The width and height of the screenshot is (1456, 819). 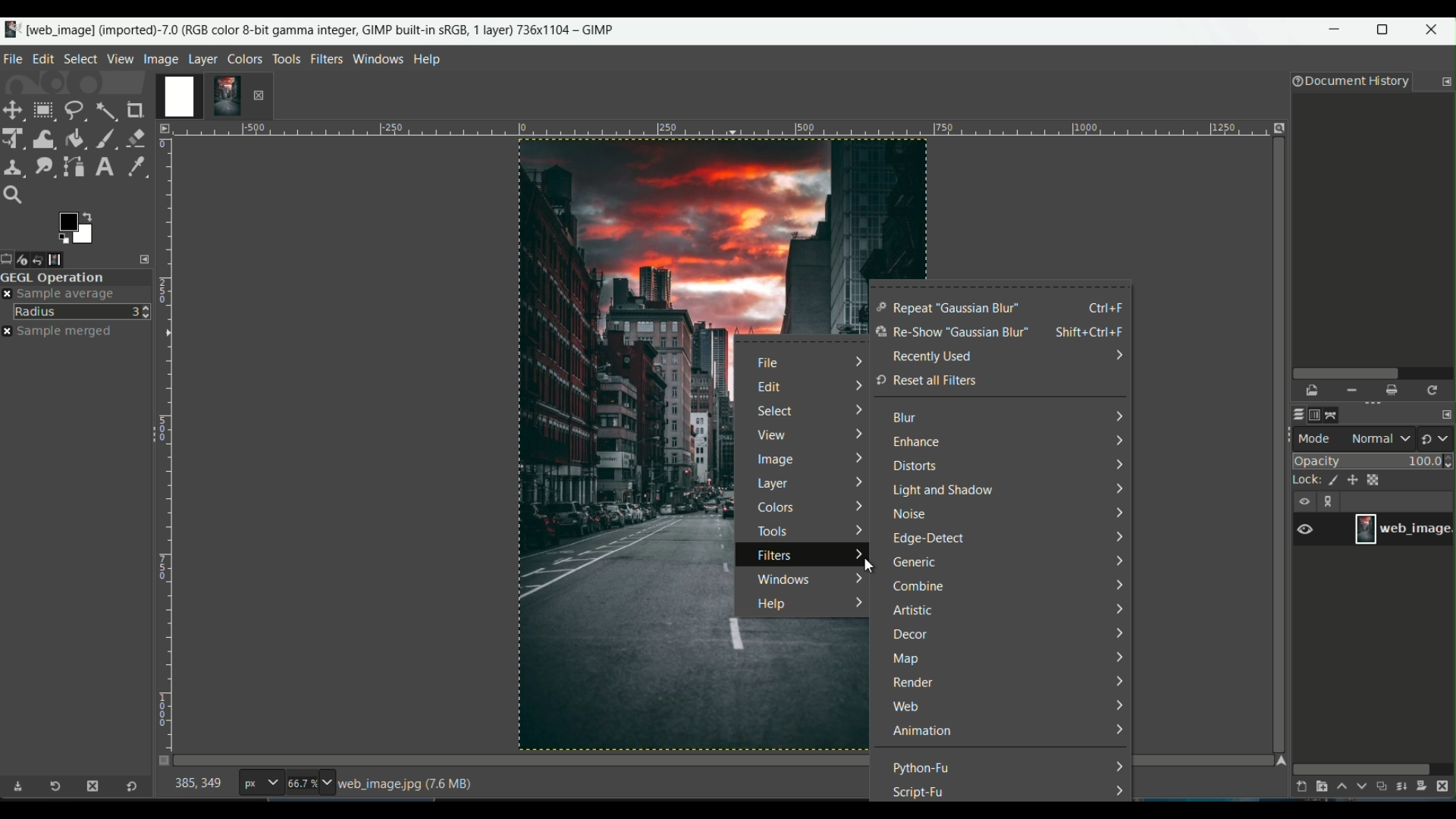 I want to click on color picker tool, so click(x=133, y=165).